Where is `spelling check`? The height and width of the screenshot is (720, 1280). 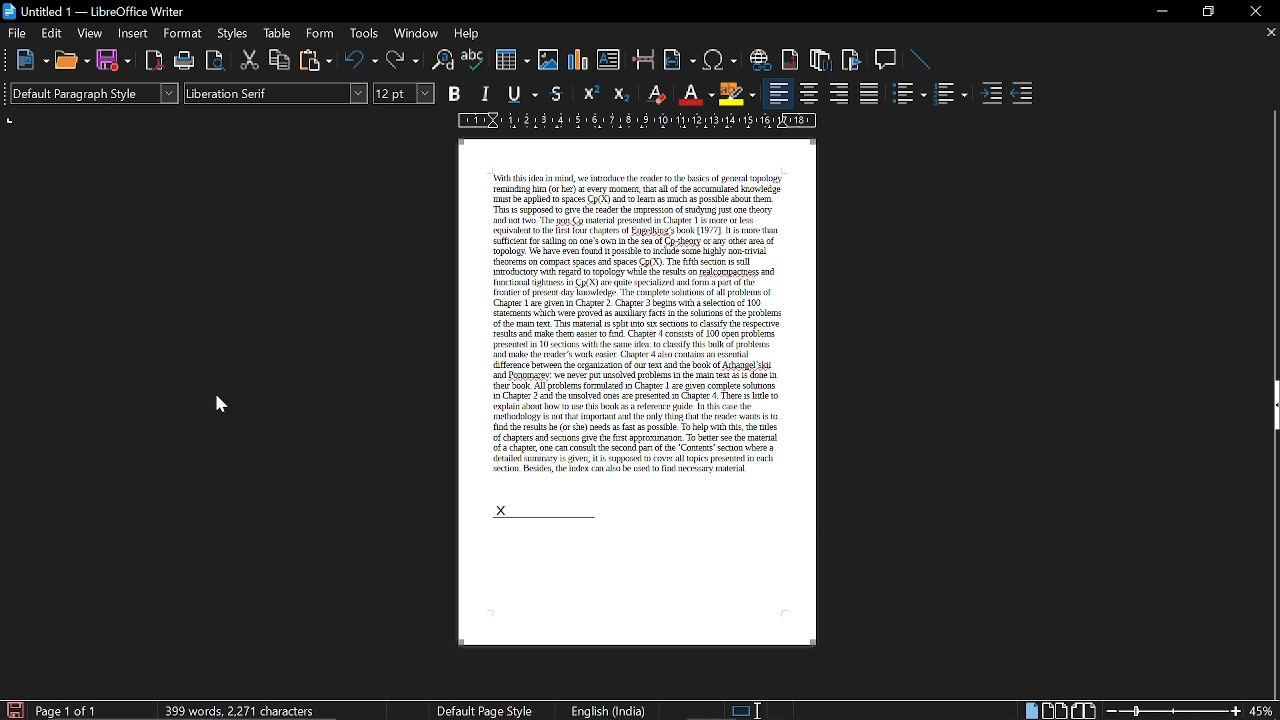 spelling check is located at coordinates (473, 60).